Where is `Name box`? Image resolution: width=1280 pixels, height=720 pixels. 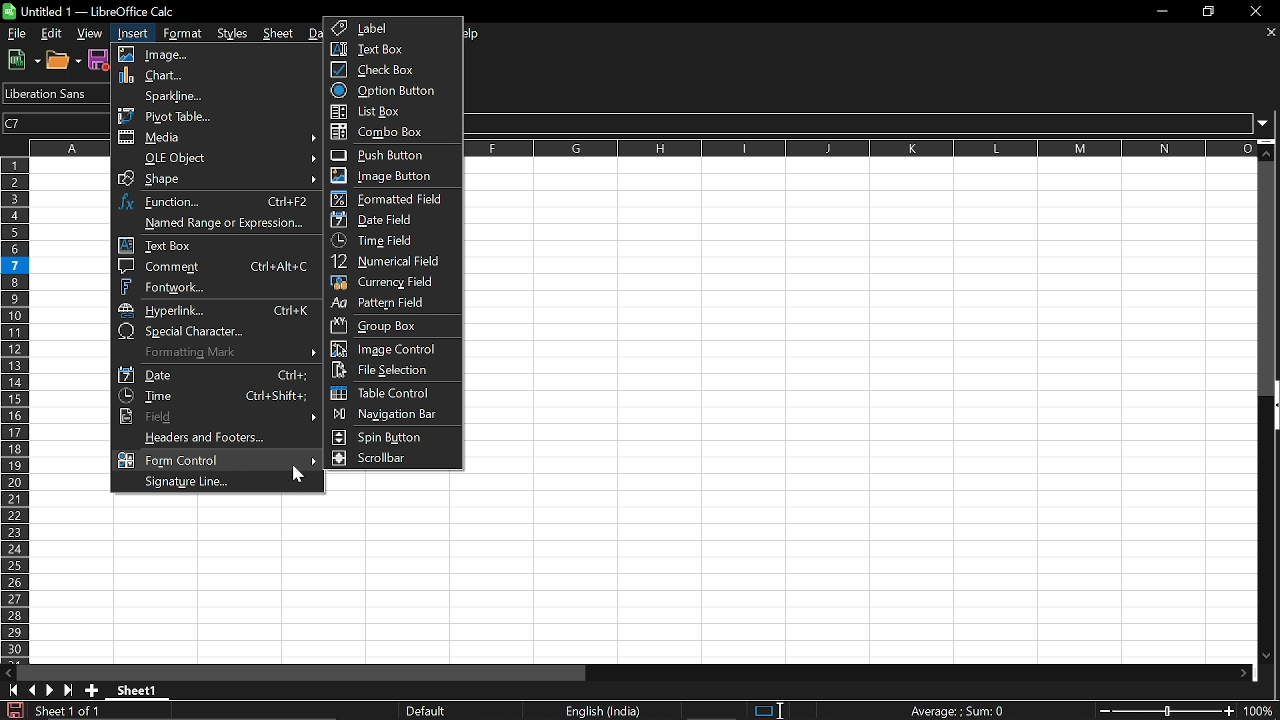 Name box is located at coordinates (57, 122).